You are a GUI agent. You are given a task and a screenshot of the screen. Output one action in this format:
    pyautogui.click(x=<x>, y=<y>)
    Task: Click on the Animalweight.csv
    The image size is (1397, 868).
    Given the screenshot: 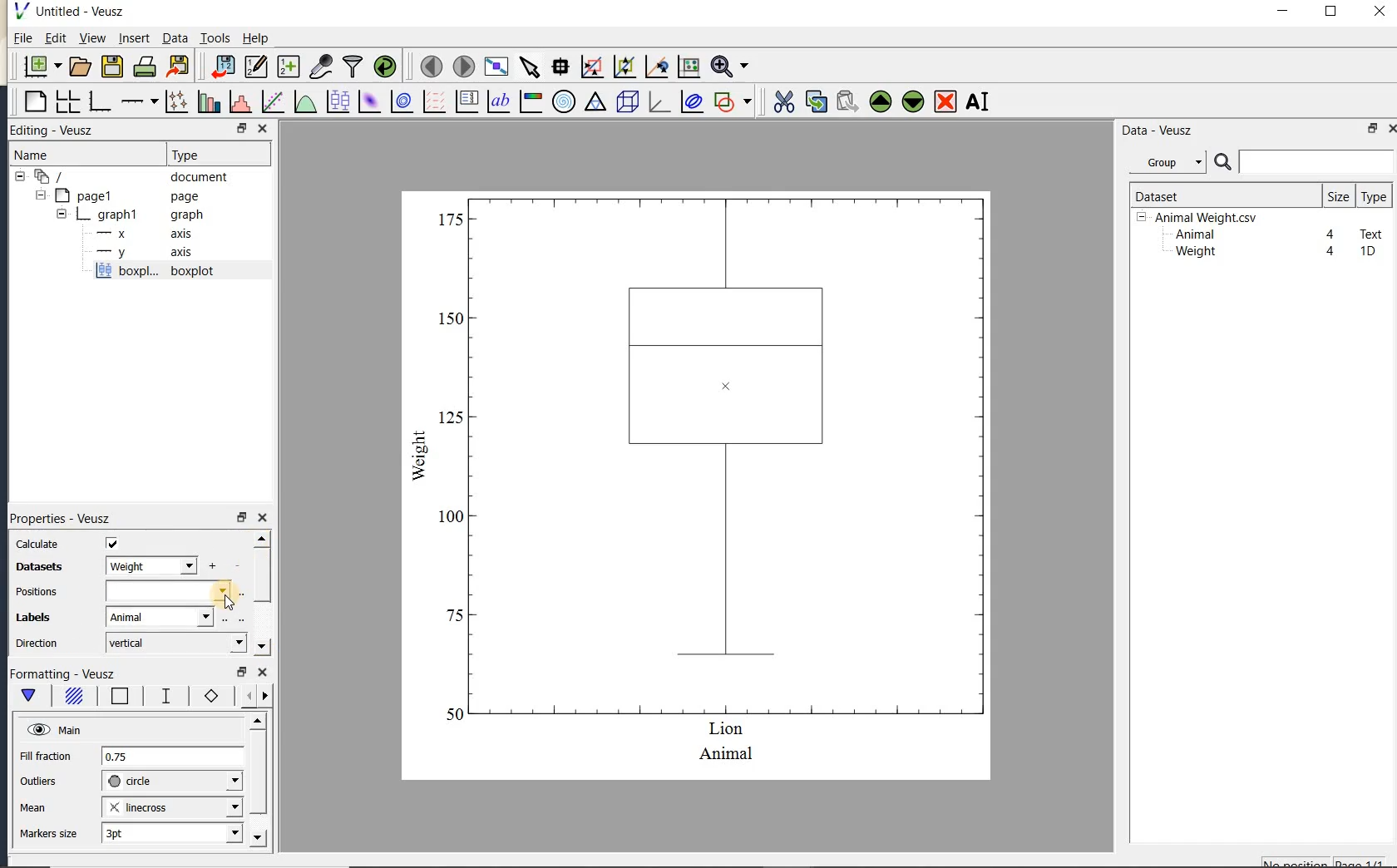 What is the action you would take?
    pyautogui.click(x=1201, y=218)
    